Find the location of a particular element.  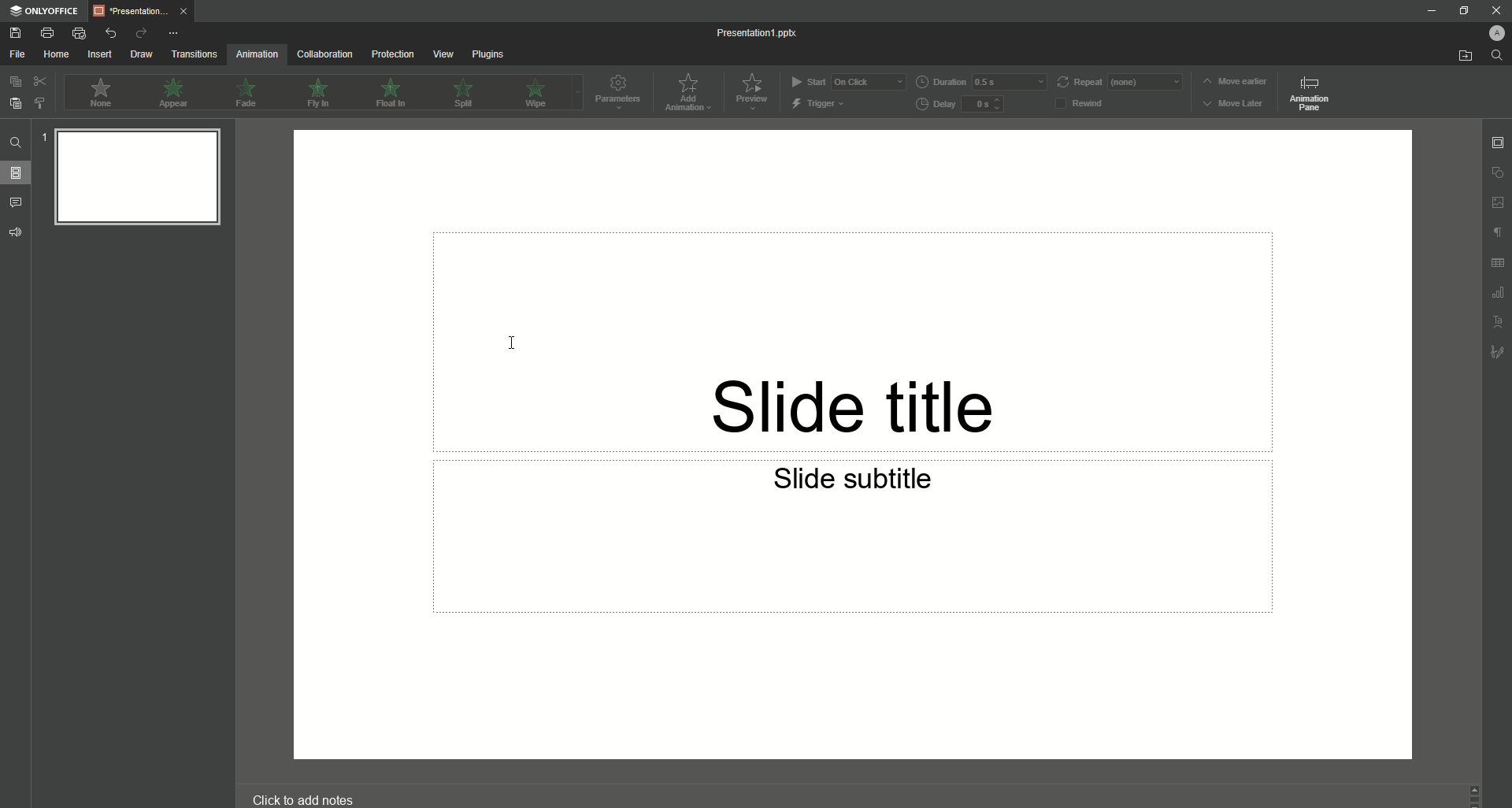

More Options is located at coordinates (172, 33).